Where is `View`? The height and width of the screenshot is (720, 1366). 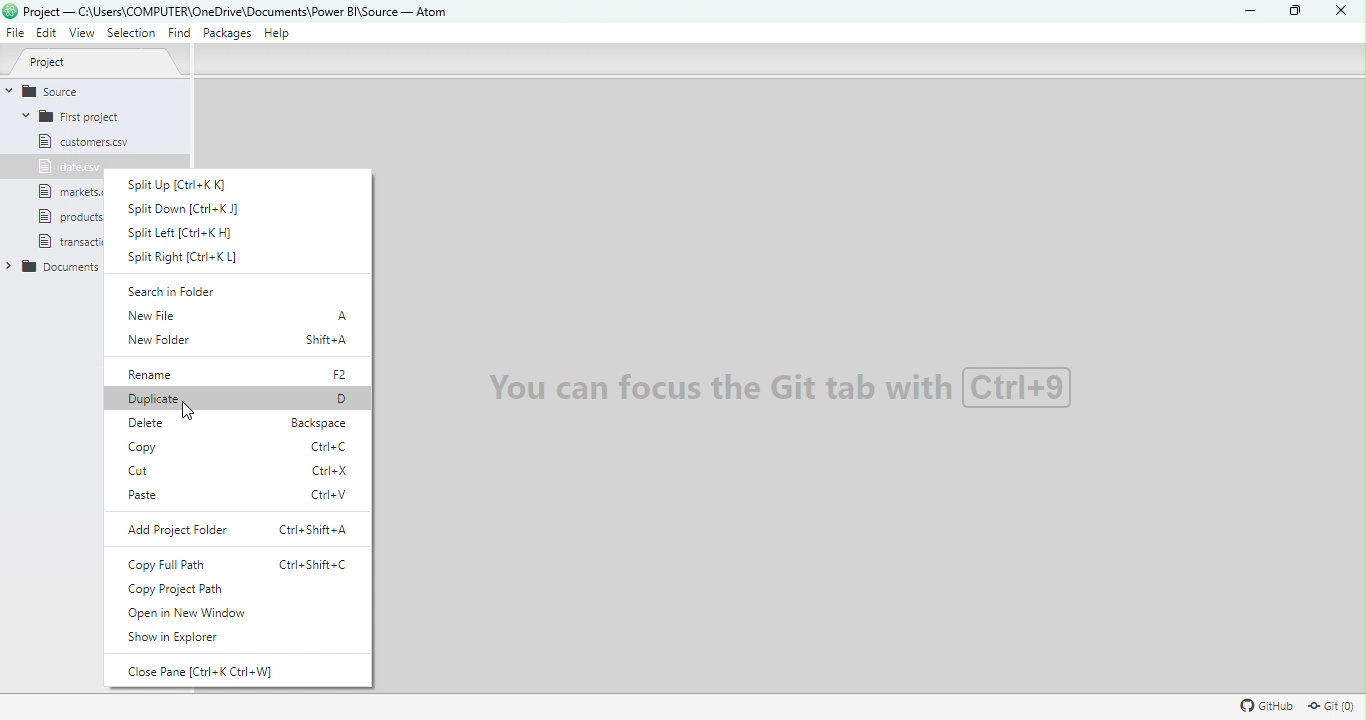
View is located at coordinates (84, 34).